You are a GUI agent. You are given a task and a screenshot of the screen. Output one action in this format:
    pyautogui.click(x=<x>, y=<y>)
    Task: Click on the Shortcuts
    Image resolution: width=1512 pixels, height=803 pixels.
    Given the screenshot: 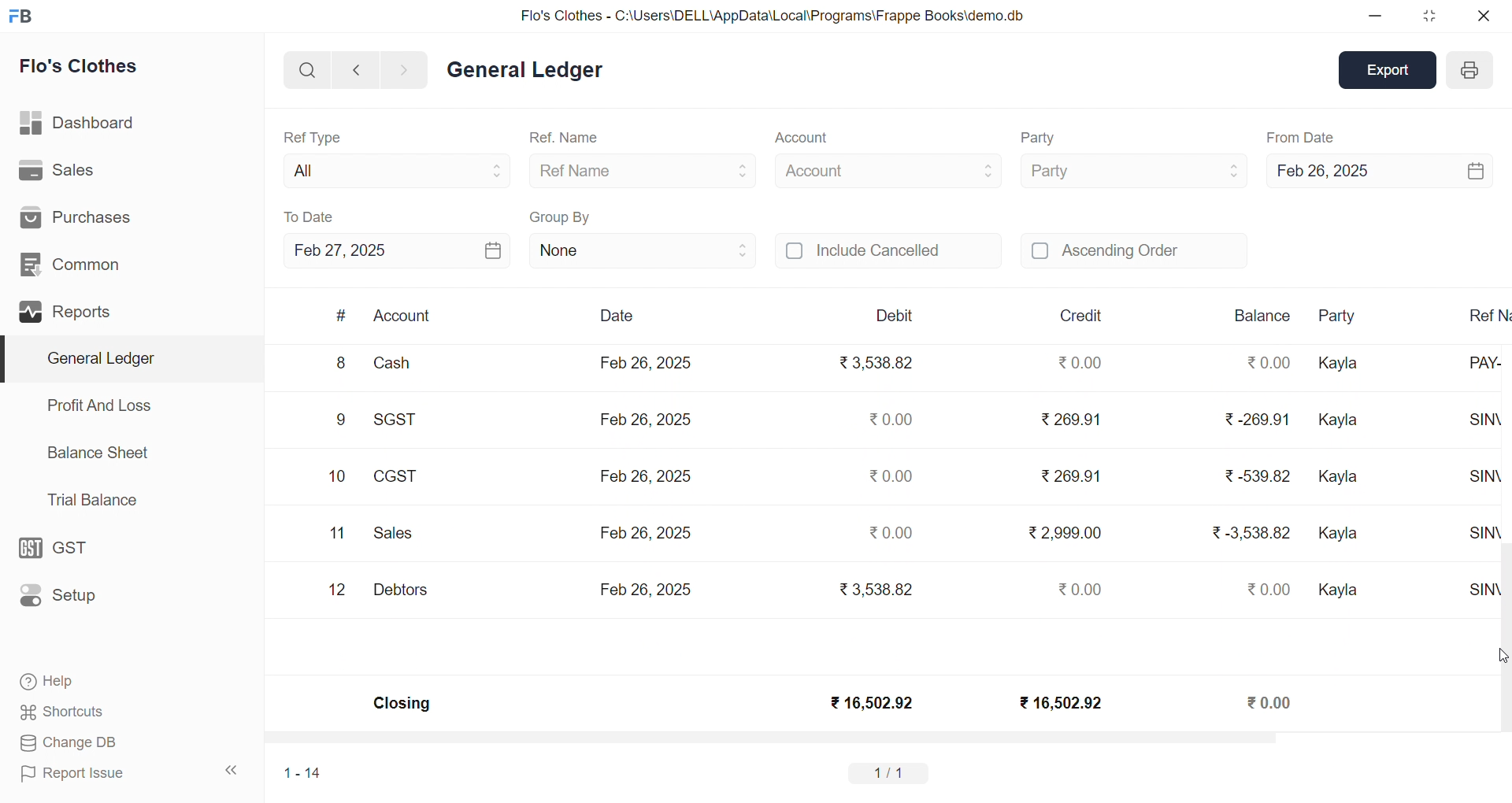 What is the action you would take?
    pyautogui.click(x=62, y=709)
    